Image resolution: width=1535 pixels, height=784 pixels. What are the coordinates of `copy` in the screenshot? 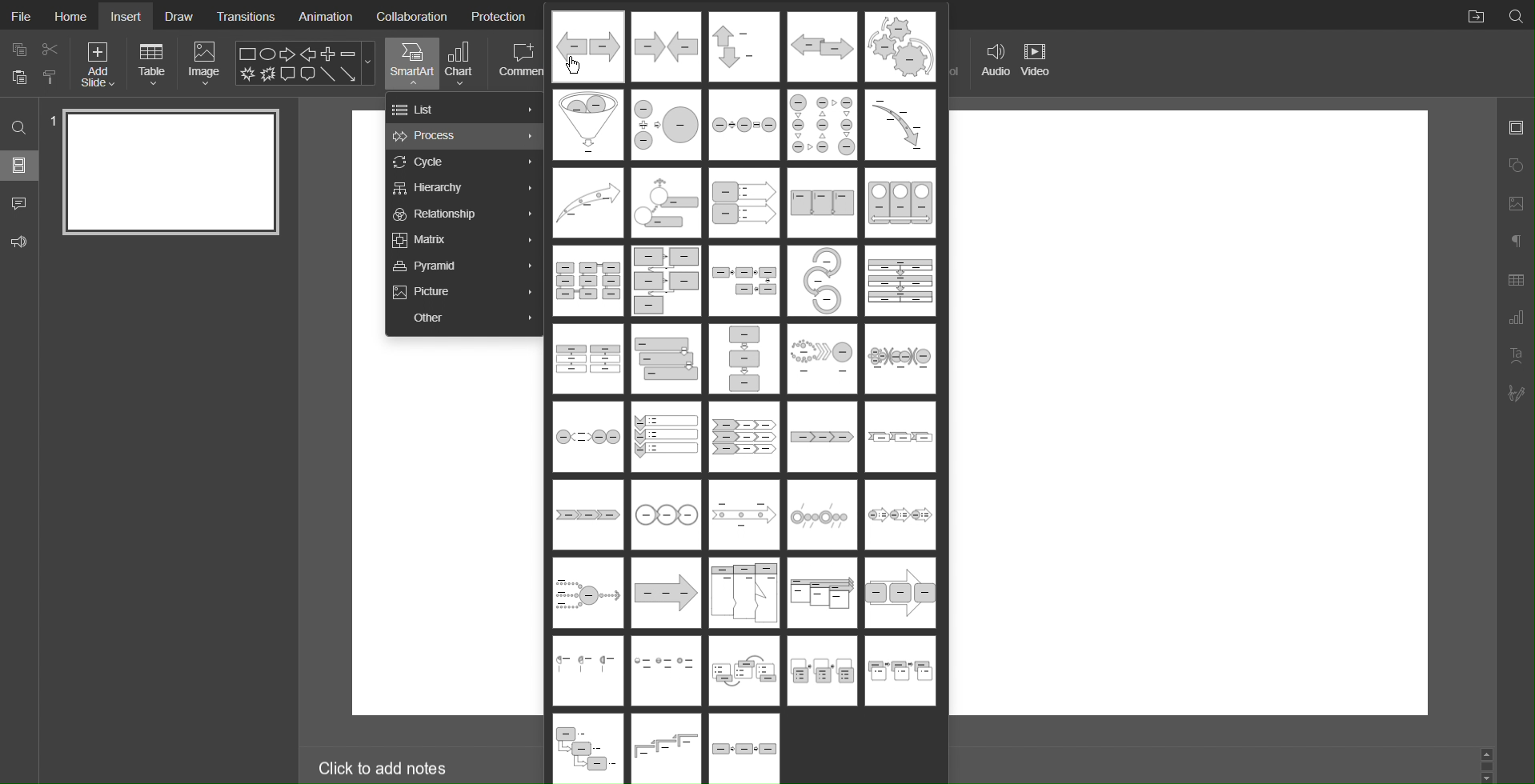 It's located at (18, 48).